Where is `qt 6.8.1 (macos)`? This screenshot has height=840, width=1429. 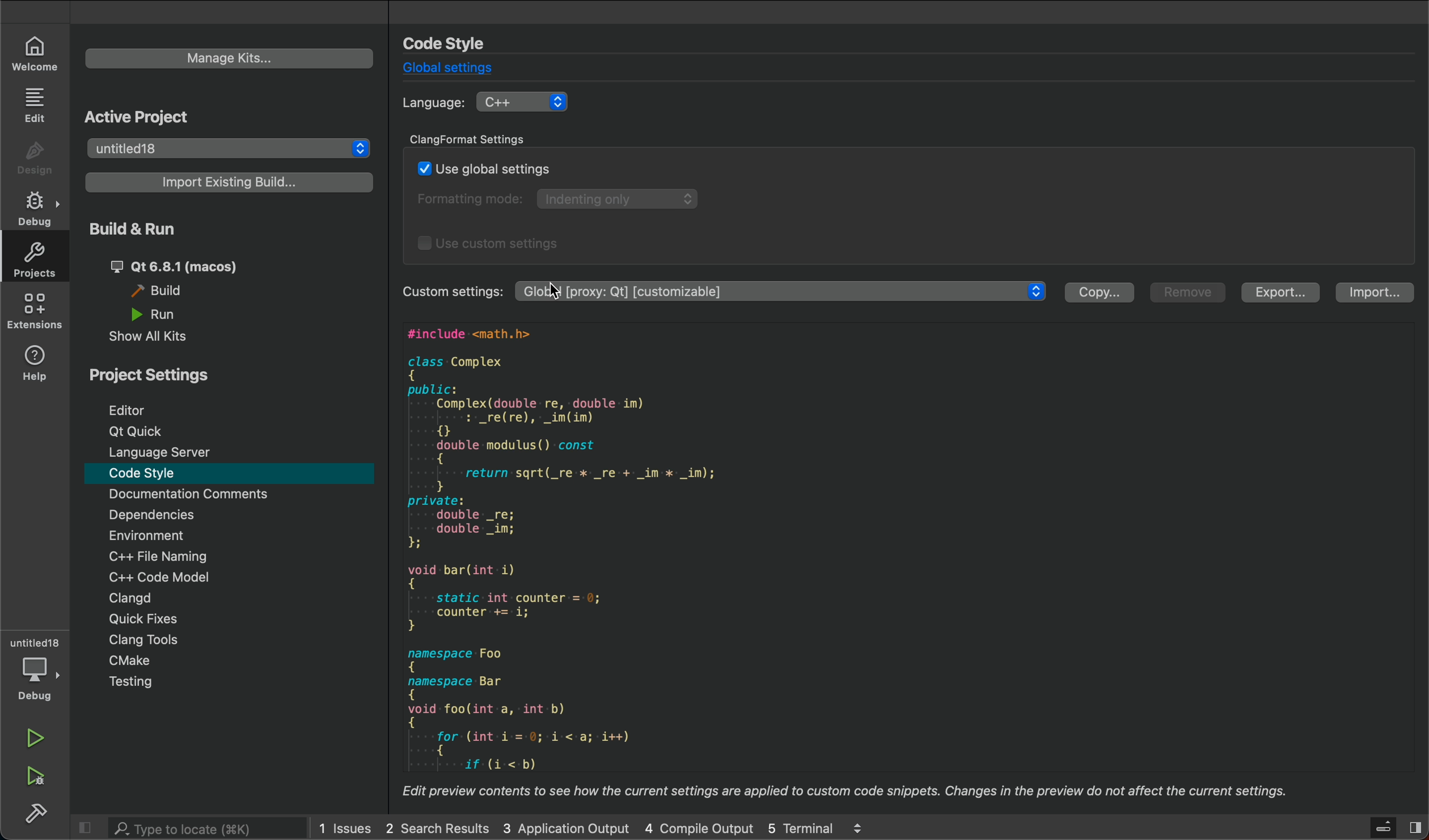
qt 6.8.1 (macos) is located at coordinates (189, 268).